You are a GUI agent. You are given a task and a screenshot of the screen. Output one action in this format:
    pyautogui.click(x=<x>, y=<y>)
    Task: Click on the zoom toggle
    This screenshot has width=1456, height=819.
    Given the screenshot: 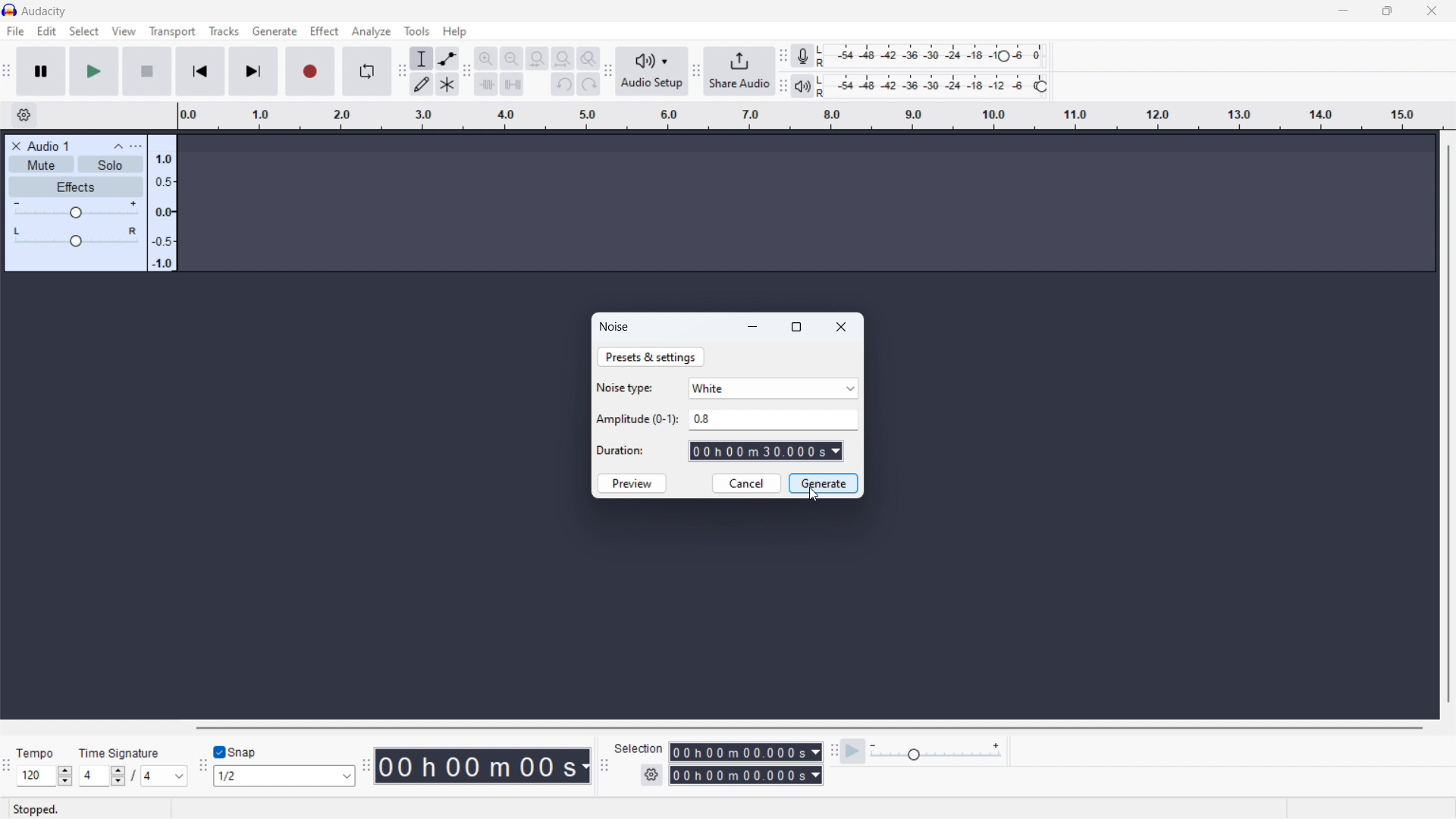 What is the action you would take?
    pyautogui.click(x=588, y=58)
    